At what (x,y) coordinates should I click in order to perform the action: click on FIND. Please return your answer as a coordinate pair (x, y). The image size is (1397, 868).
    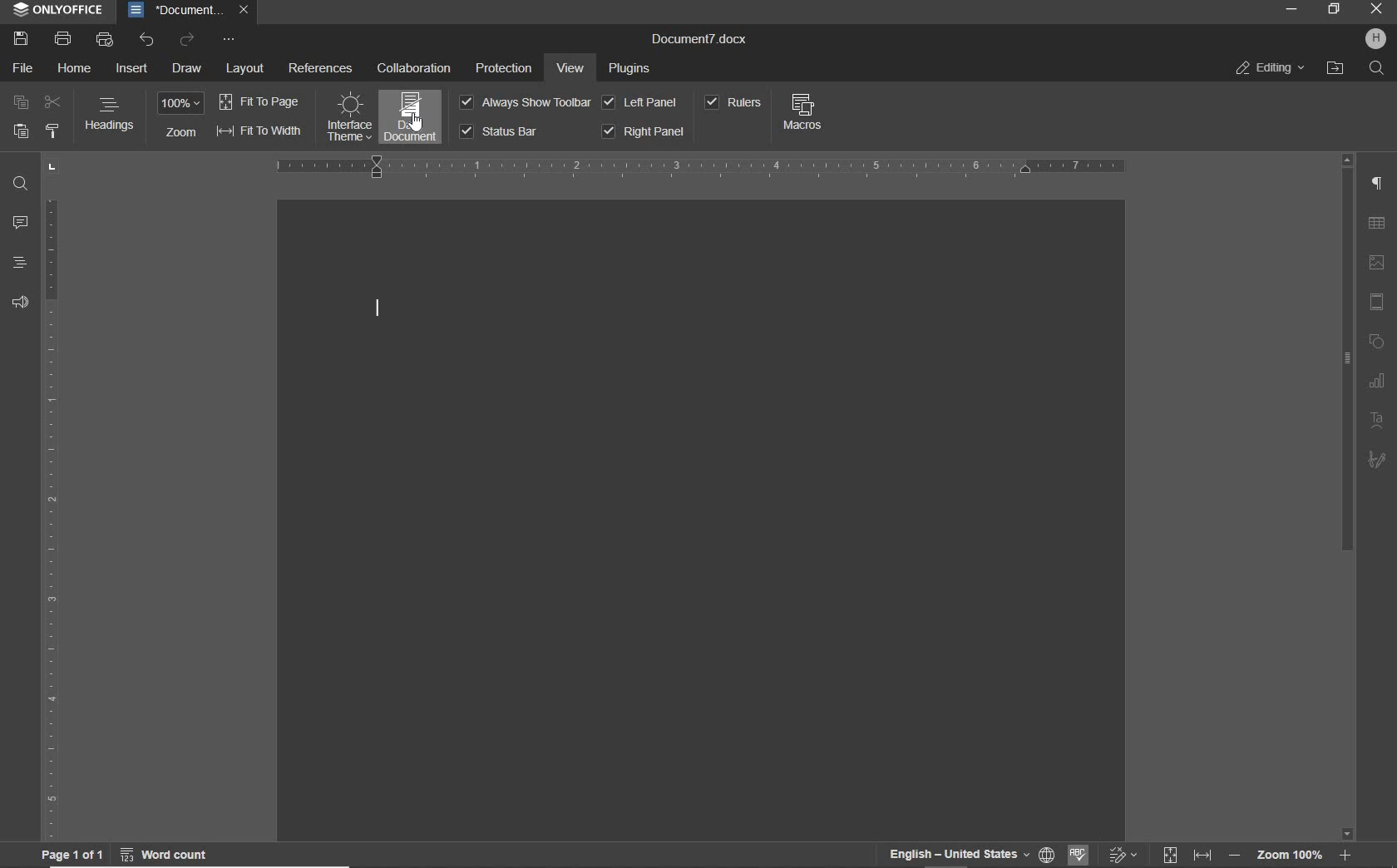
    Looking at the image, I should click on (21, 186).